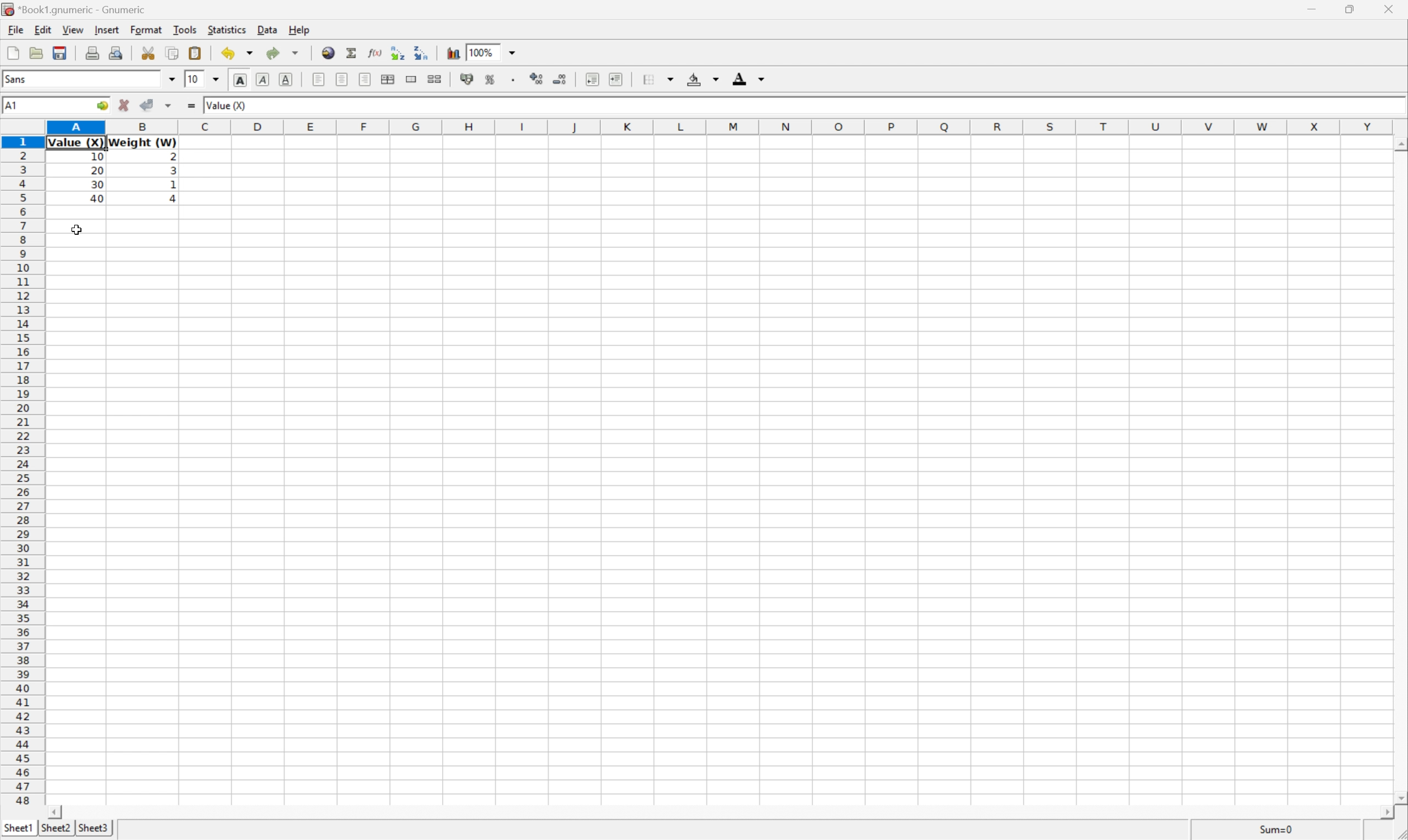 Image resolution: width=1408 pixels, height=840 pixels. I want to click on Foreground, so click(752, 78).